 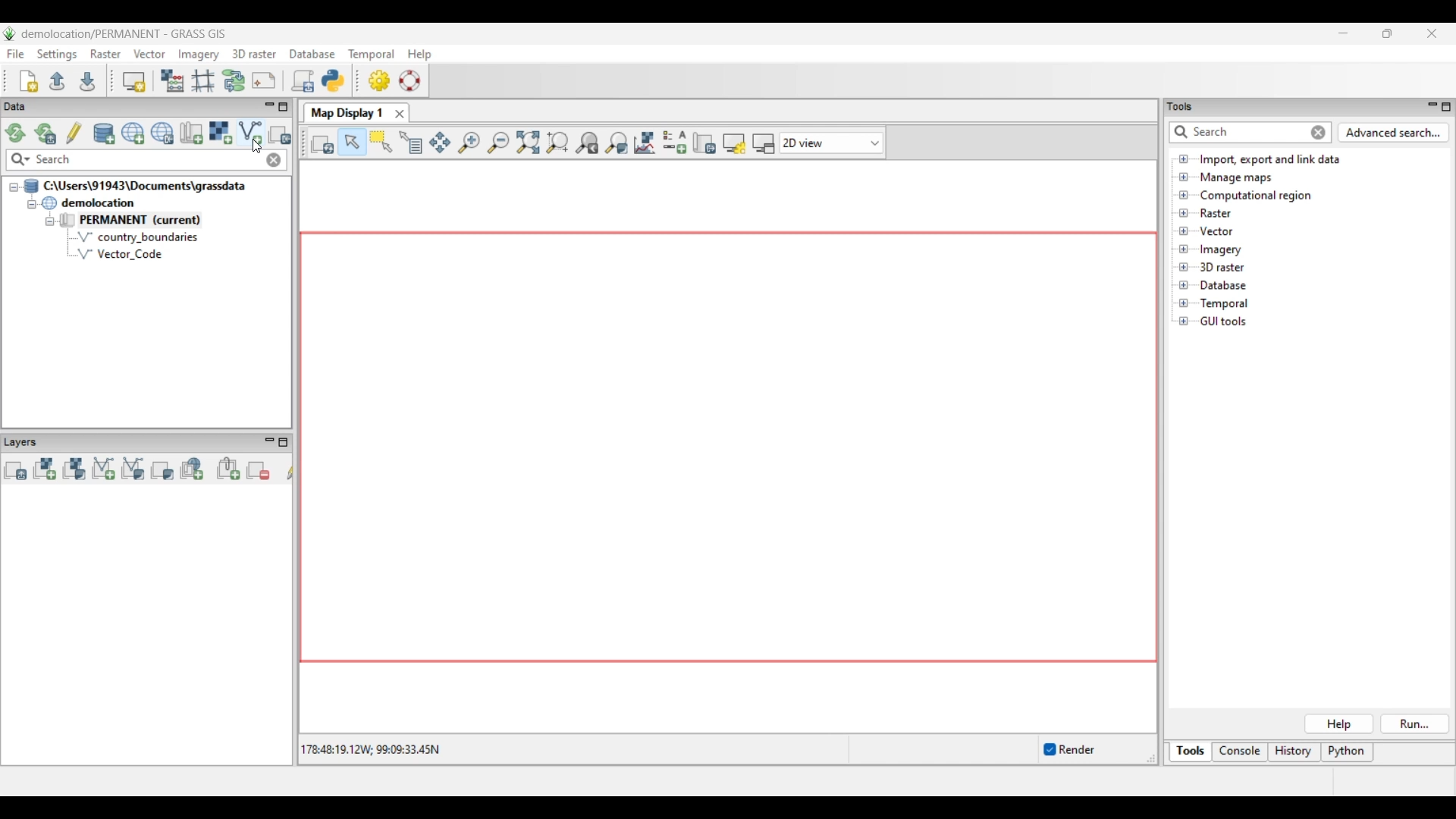 What do you see at coordinates (269, 108) in the screenshot?
I see `Minimize Data menu` at bounding box center [269, 108].